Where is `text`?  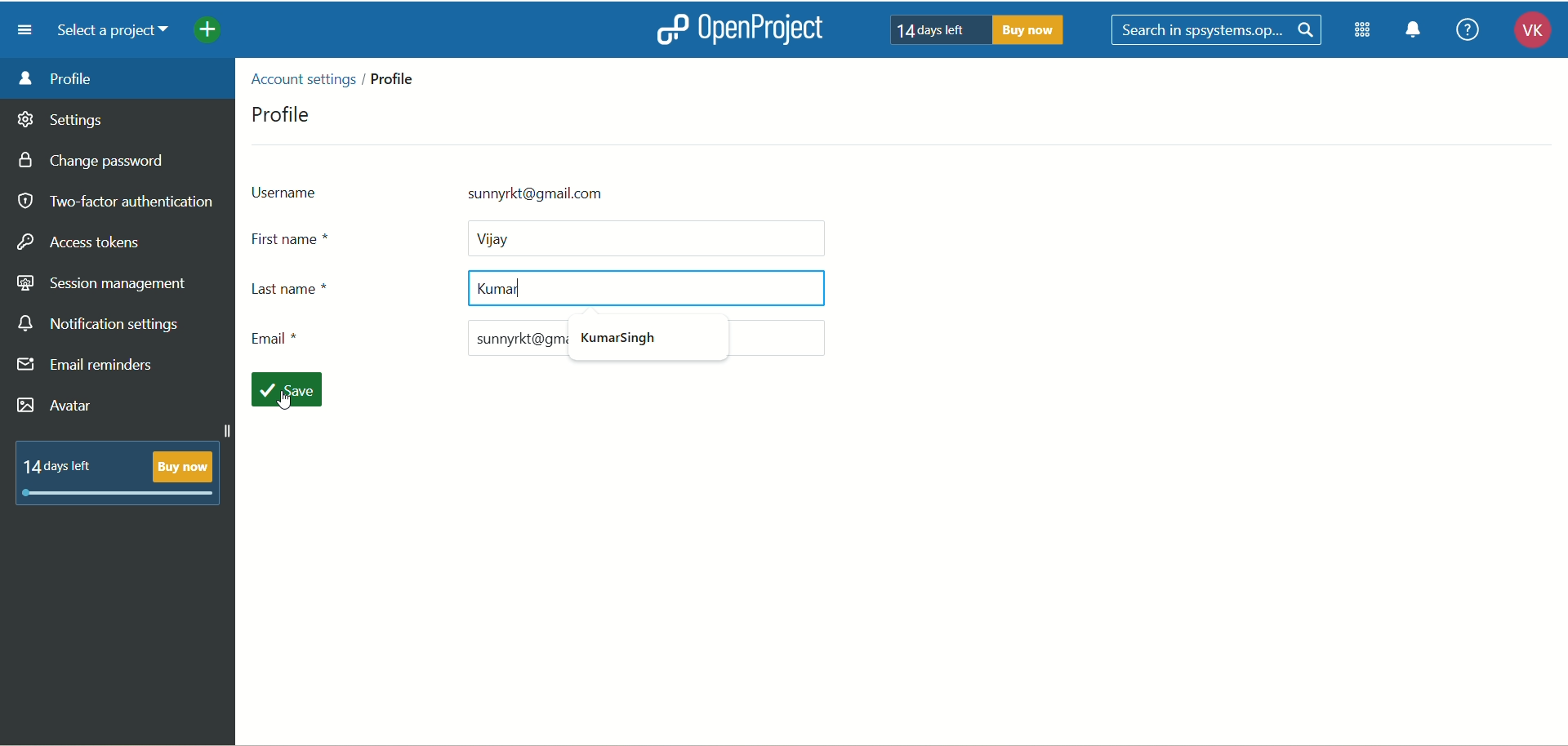
text is located at coordinates (118, 472).